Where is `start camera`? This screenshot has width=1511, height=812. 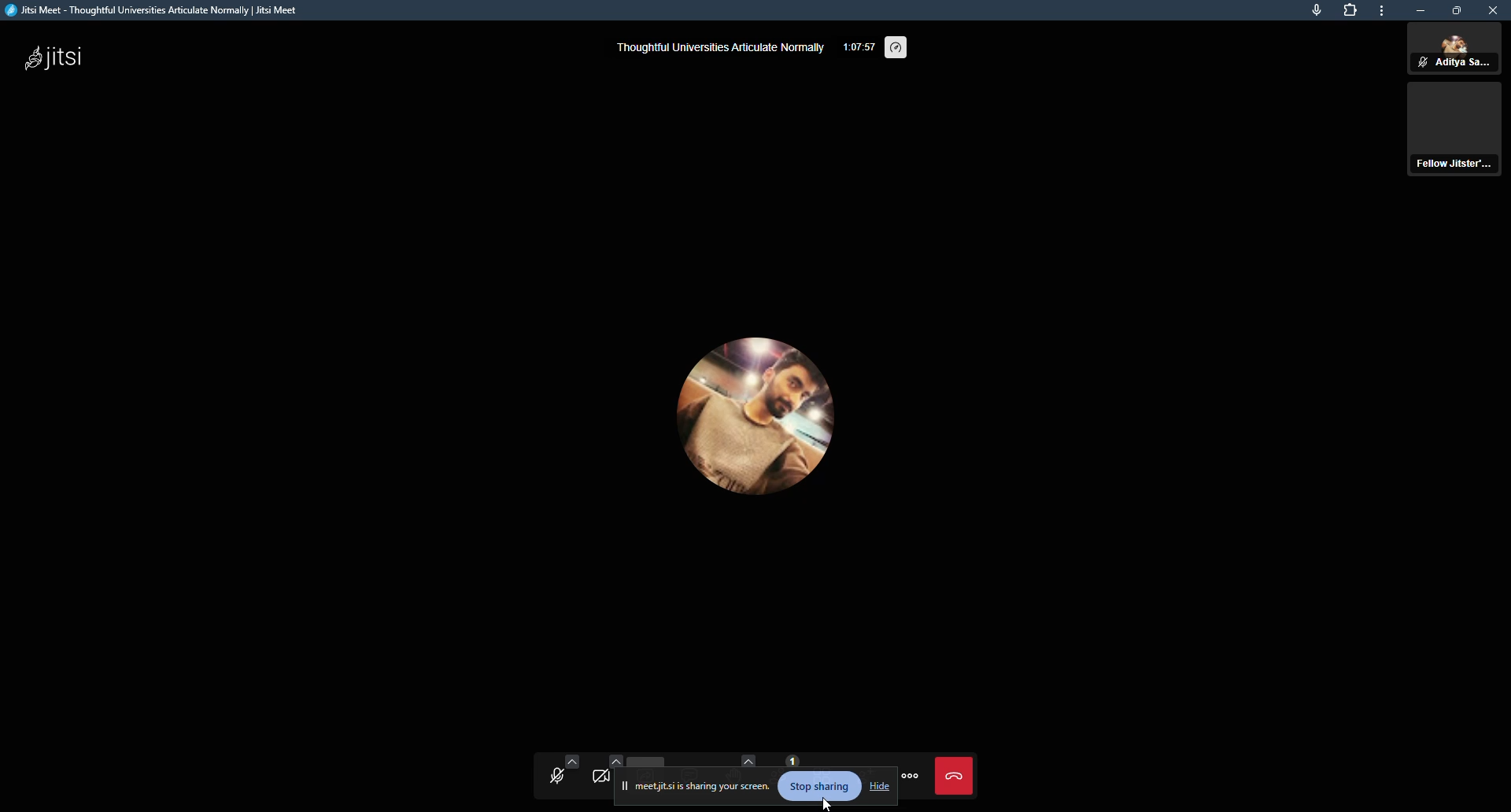
start camera is located at coordinates (598, 778).